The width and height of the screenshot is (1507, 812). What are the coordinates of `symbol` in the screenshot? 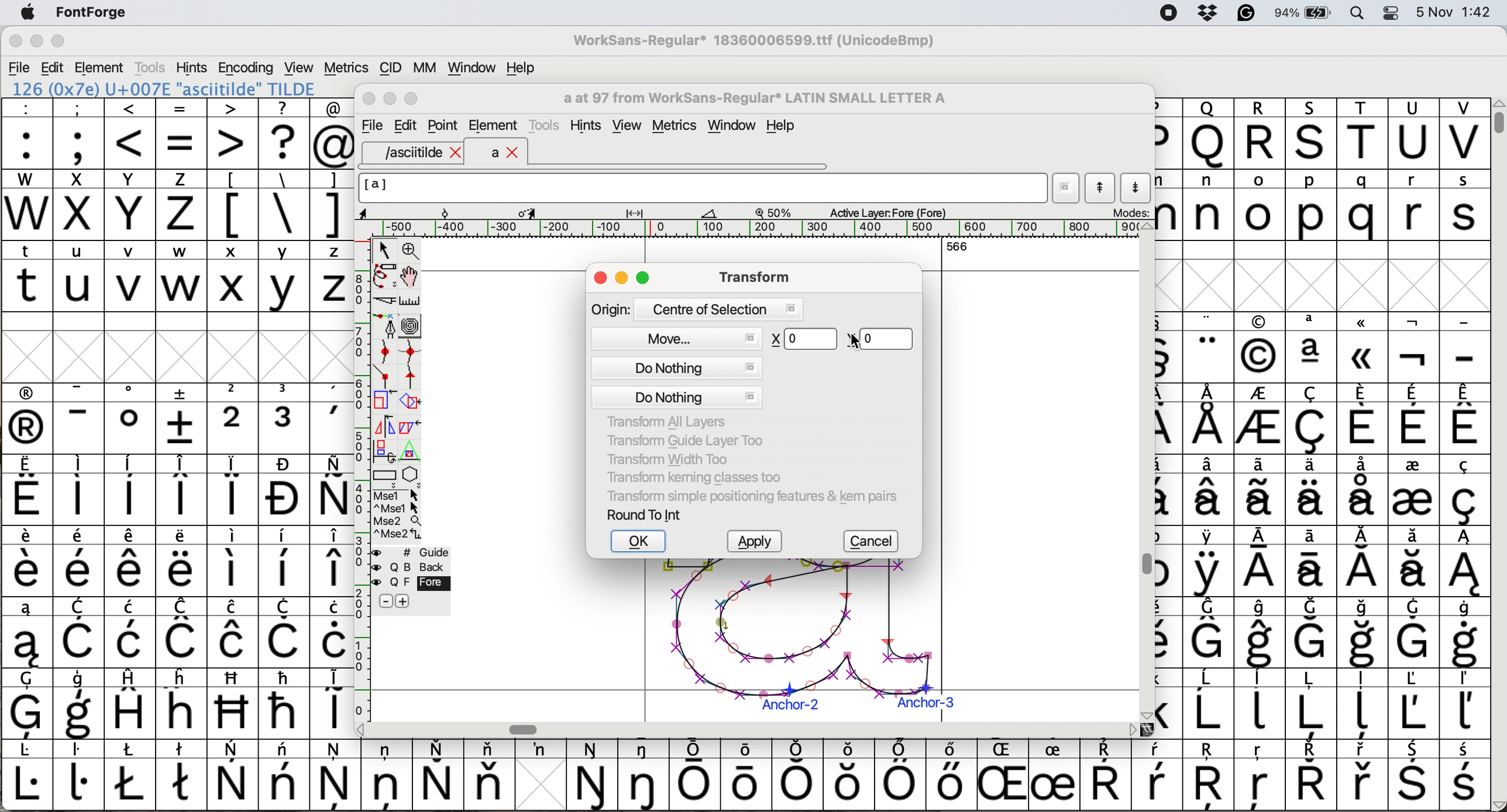 It's located at (133, 703).